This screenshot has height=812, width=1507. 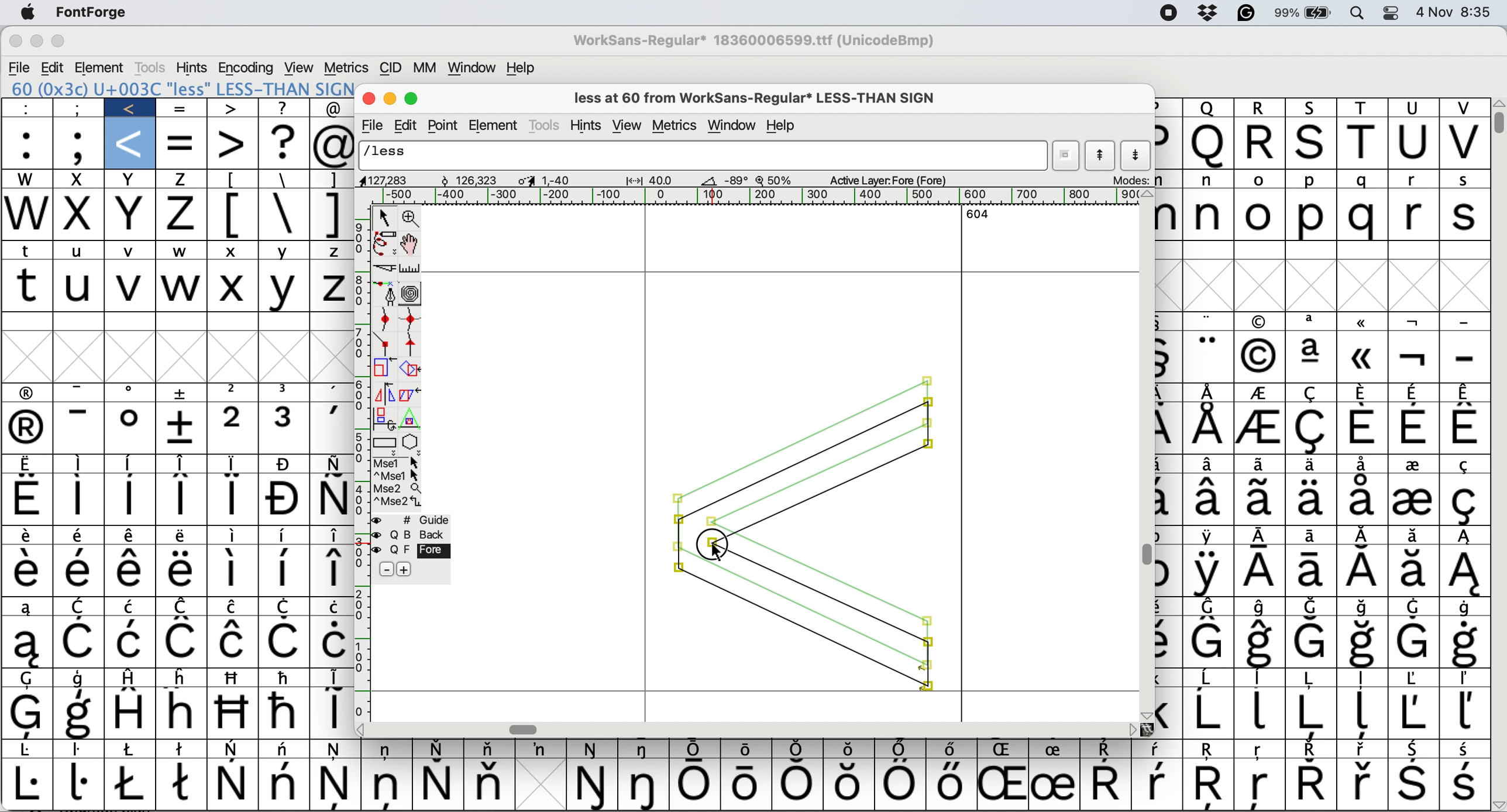 What do you see at coordinates (552, 179) in the screenshot?
I see `glyph dimensions` at bounding box center [552, 179].